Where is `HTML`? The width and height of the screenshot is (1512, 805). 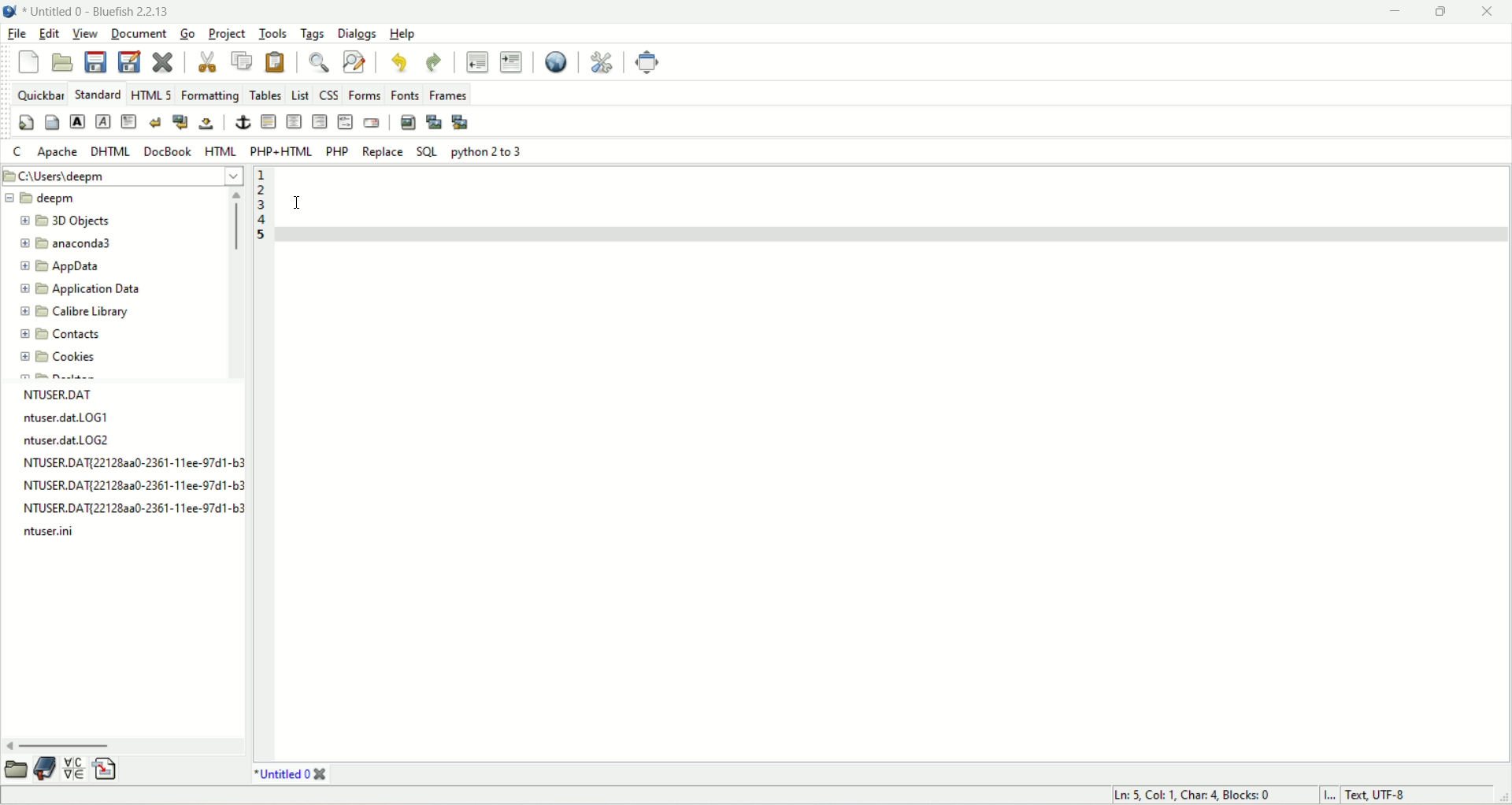
HTML is located at coordinates (224, 152).